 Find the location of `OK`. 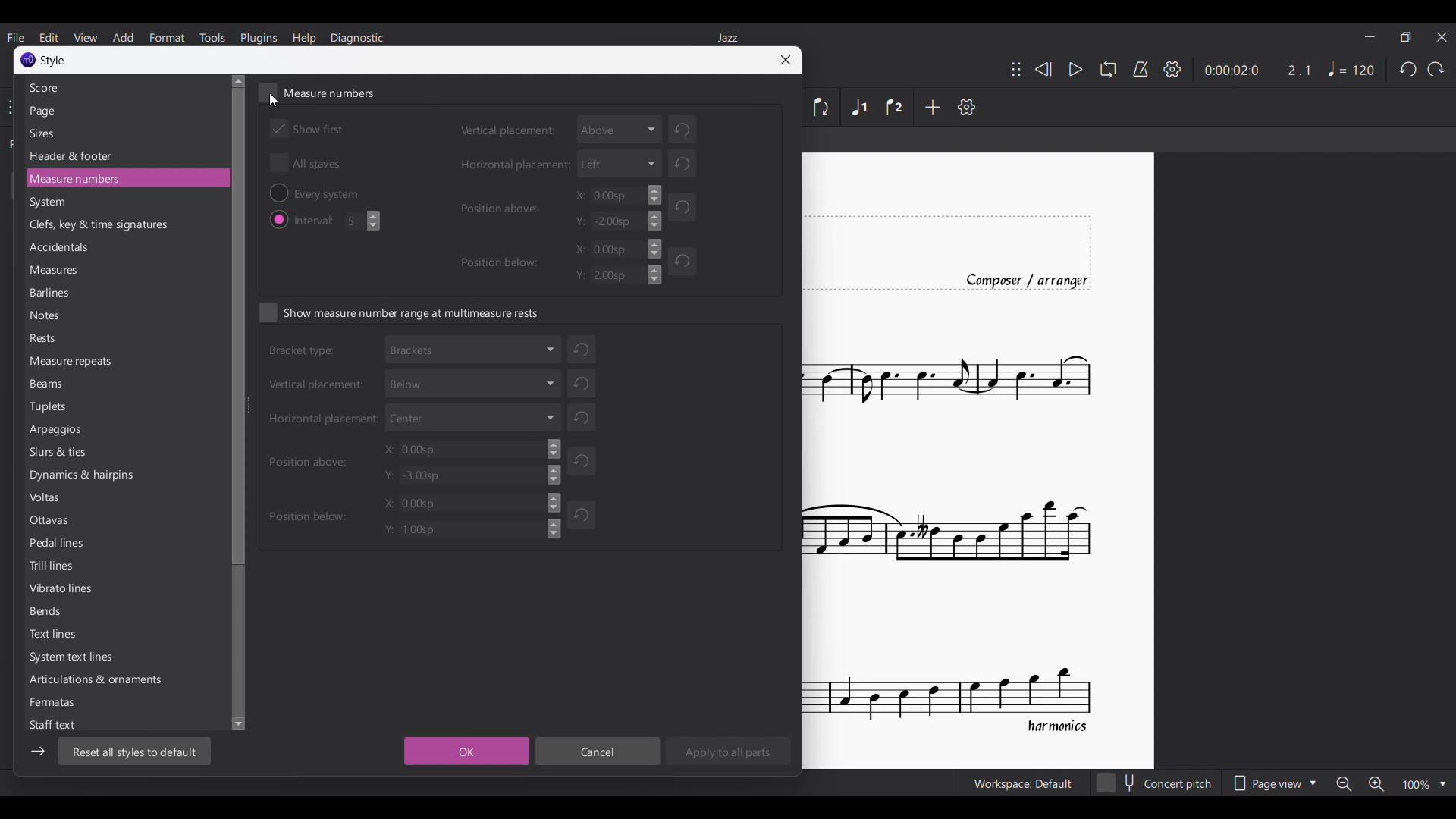

OK is located at coordinates (466, 752).